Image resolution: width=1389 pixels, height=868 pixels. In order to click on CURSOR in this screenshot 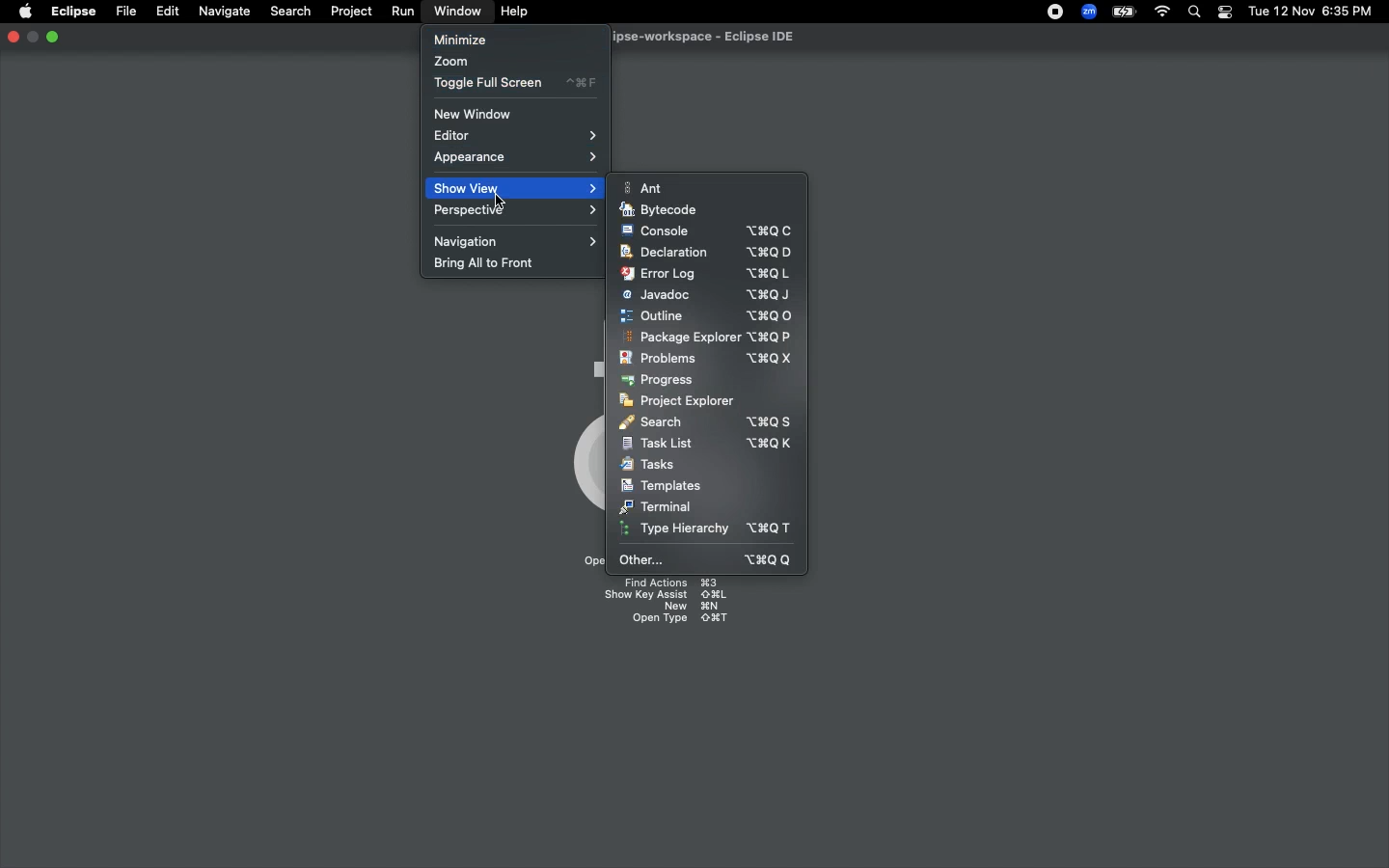, I will do `click(499, 203)`.